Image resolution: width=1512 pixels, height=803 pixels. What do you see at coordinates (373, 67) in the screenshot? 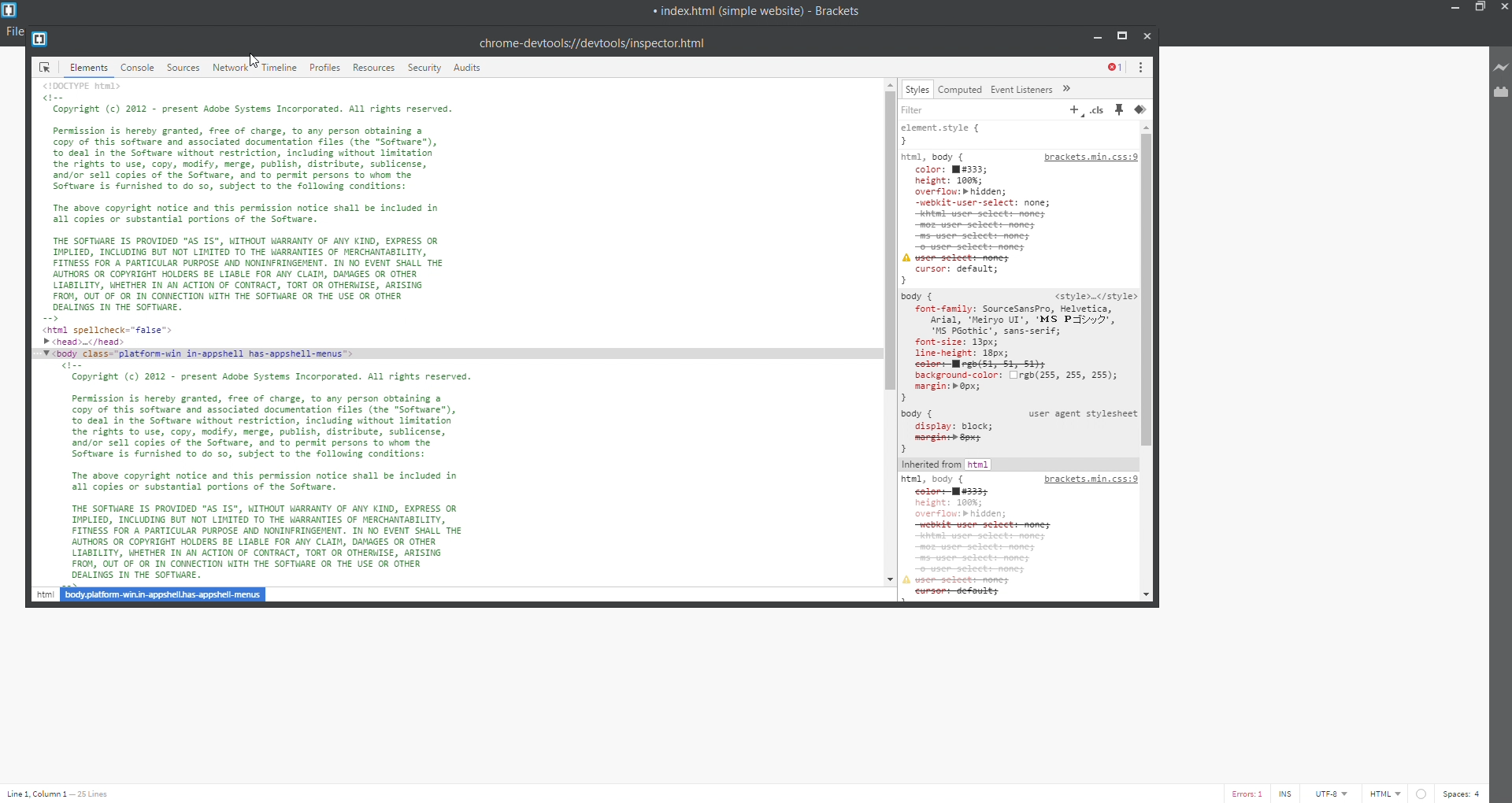
I see `resources` at bounding box center [373, 67].